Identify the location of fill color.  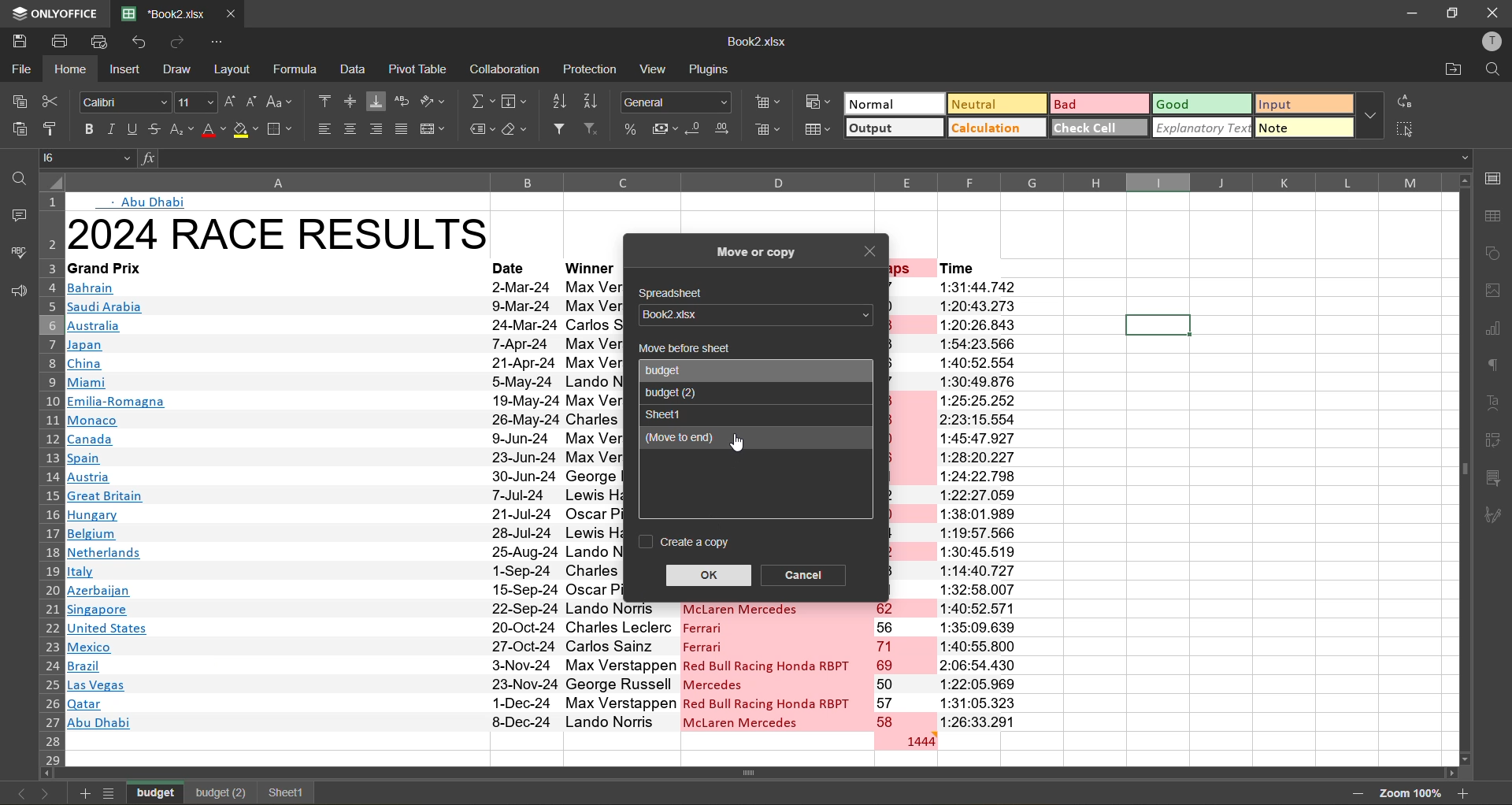
(247, 133).